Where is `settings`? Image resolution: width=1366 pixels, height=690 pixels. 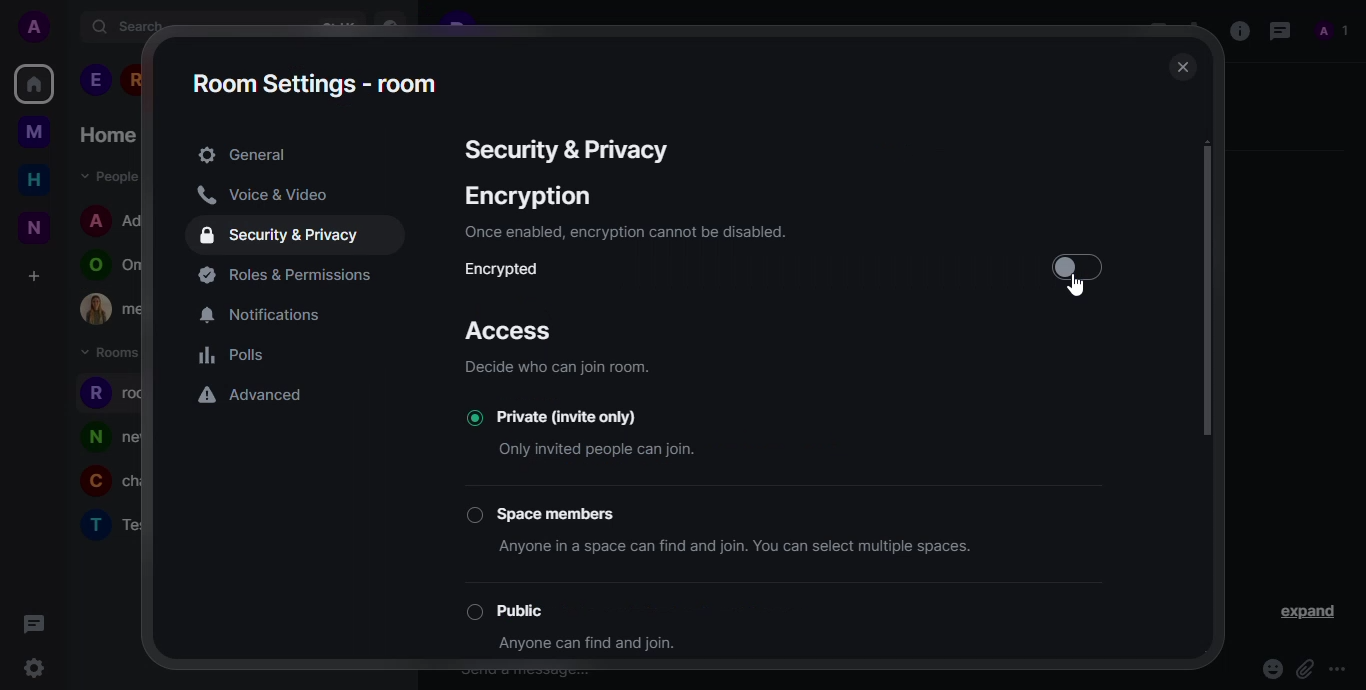 settings is located at coordinates (33, 670).